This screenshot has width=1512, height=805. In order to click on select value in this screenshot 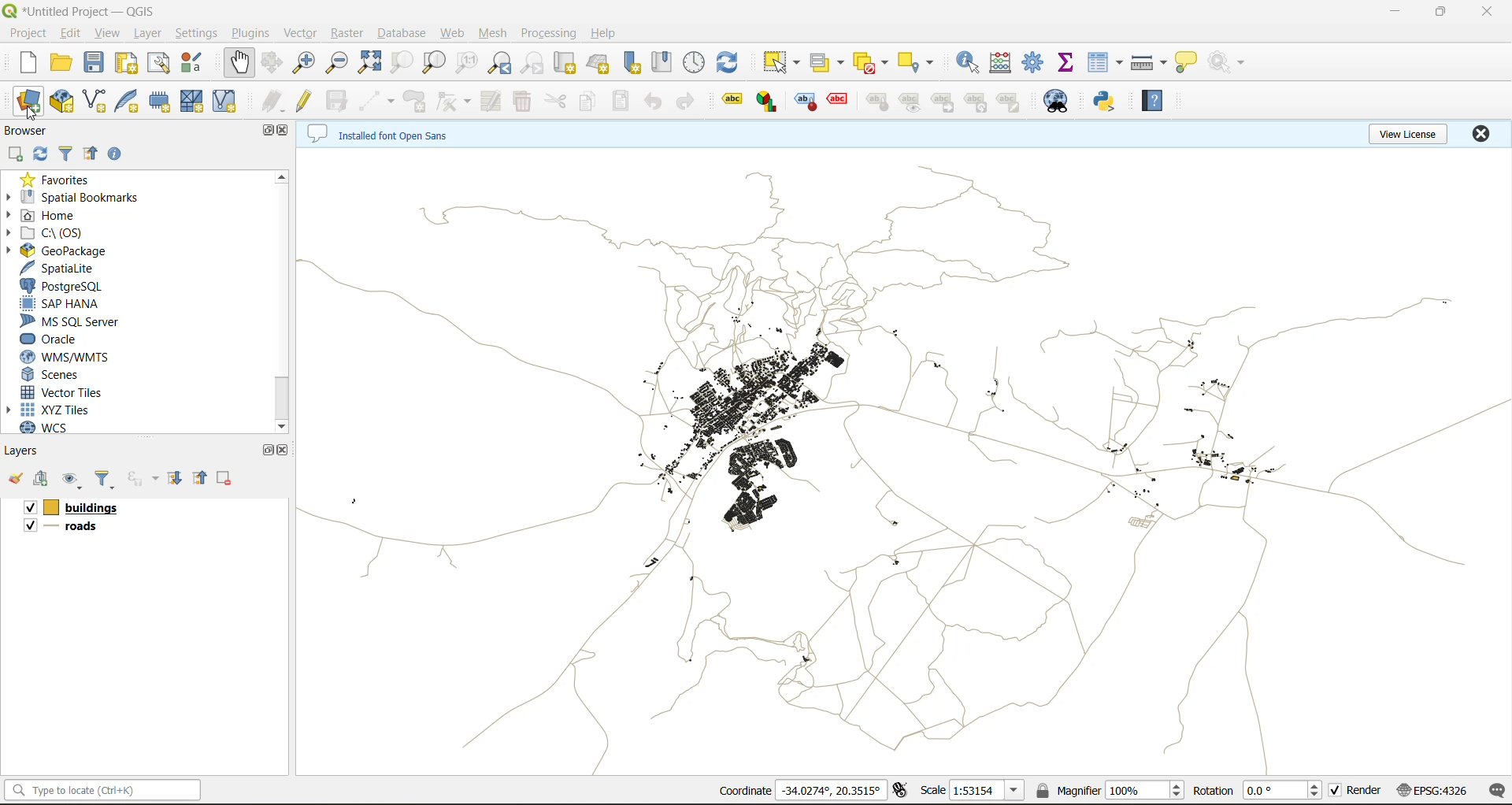, I will do `click(830, 65)`.